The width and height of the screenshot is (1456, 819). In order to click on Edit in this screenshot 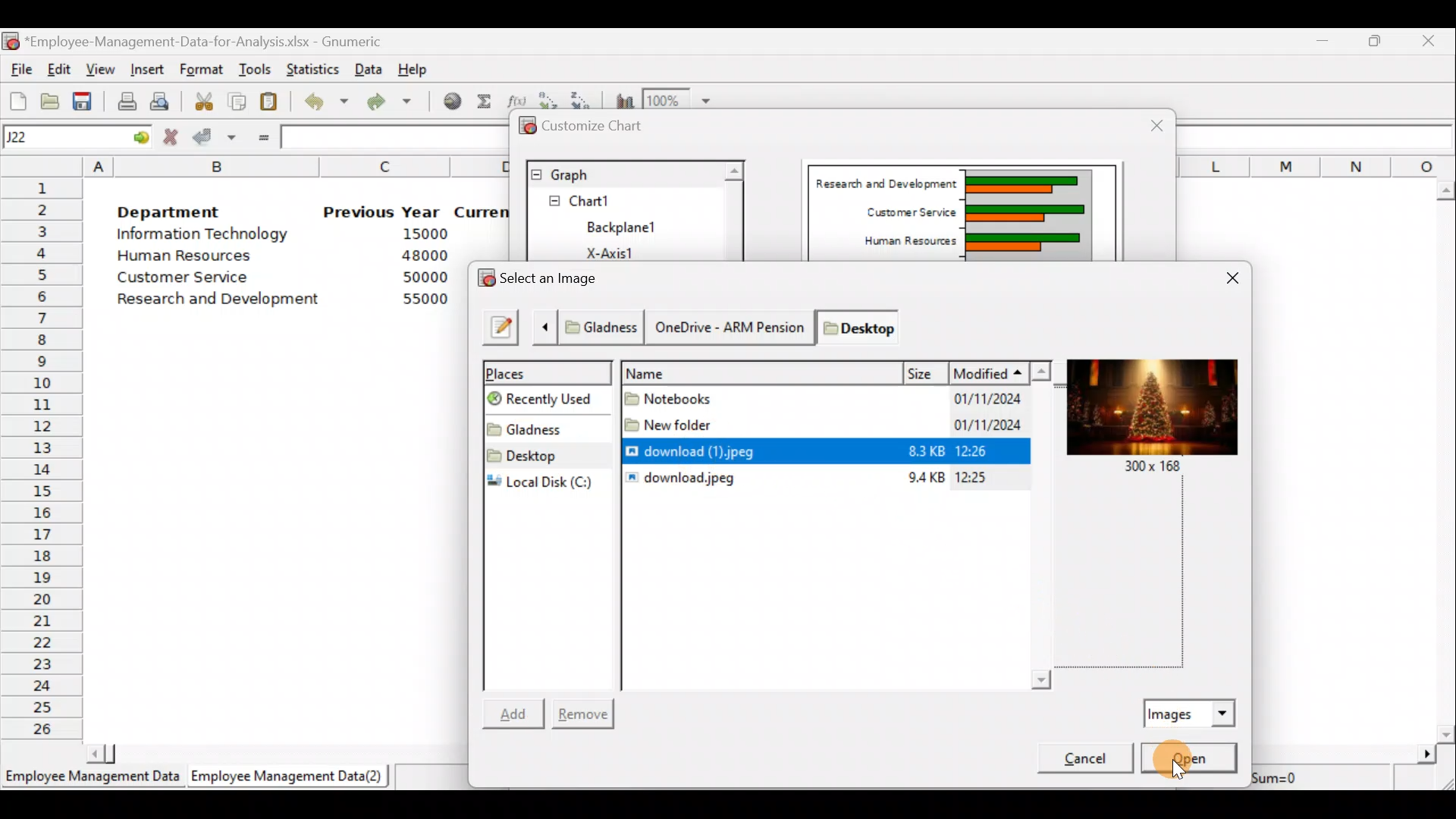, I will do `click(61, 68)`.